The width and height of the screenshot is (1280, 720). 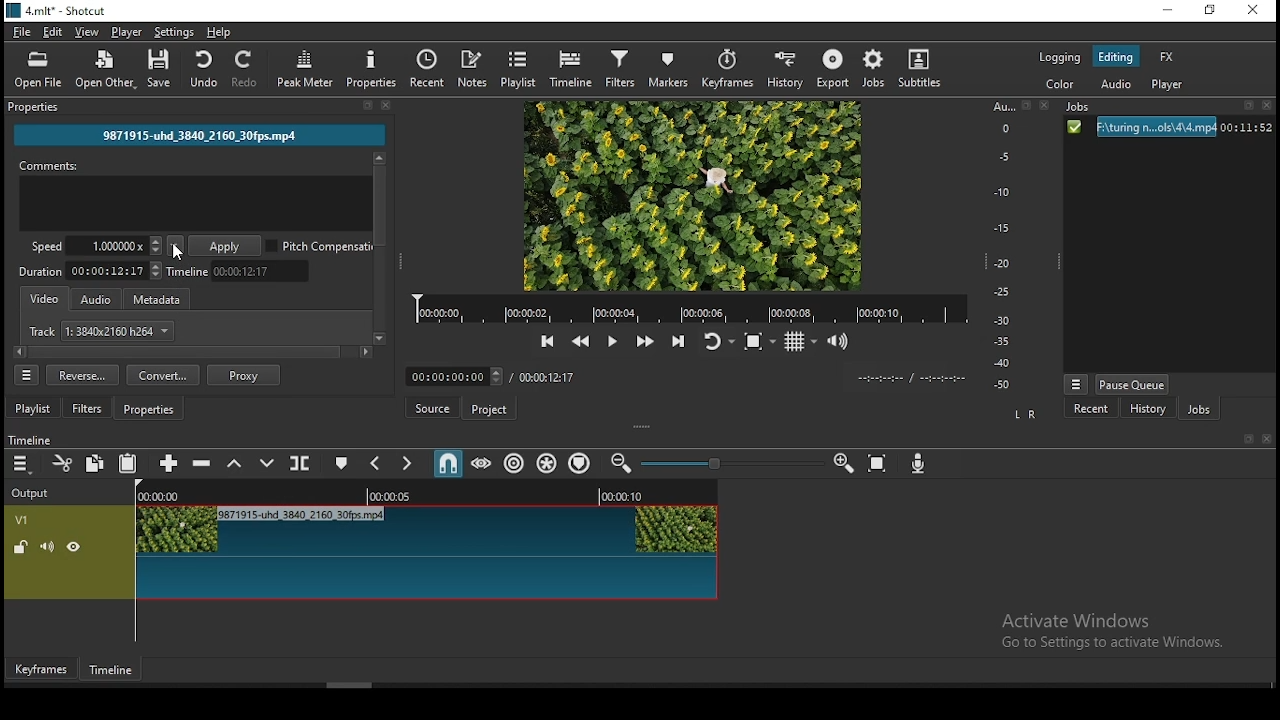 I want to click on properties, so click(x=150, y=408).